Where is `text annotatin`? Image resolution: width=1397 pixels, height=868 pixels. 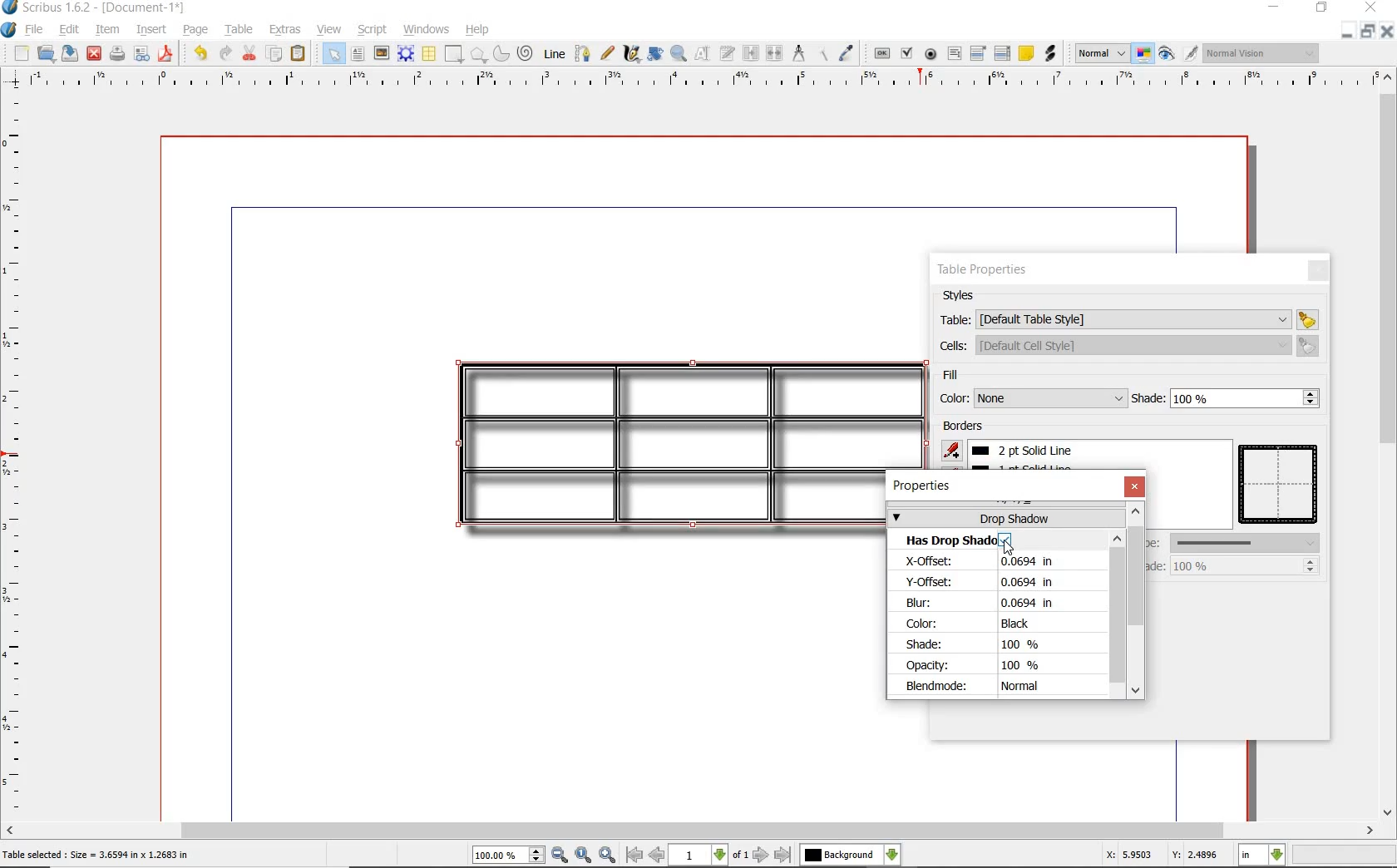
text annotatin is located at coordinates (1026, 52).